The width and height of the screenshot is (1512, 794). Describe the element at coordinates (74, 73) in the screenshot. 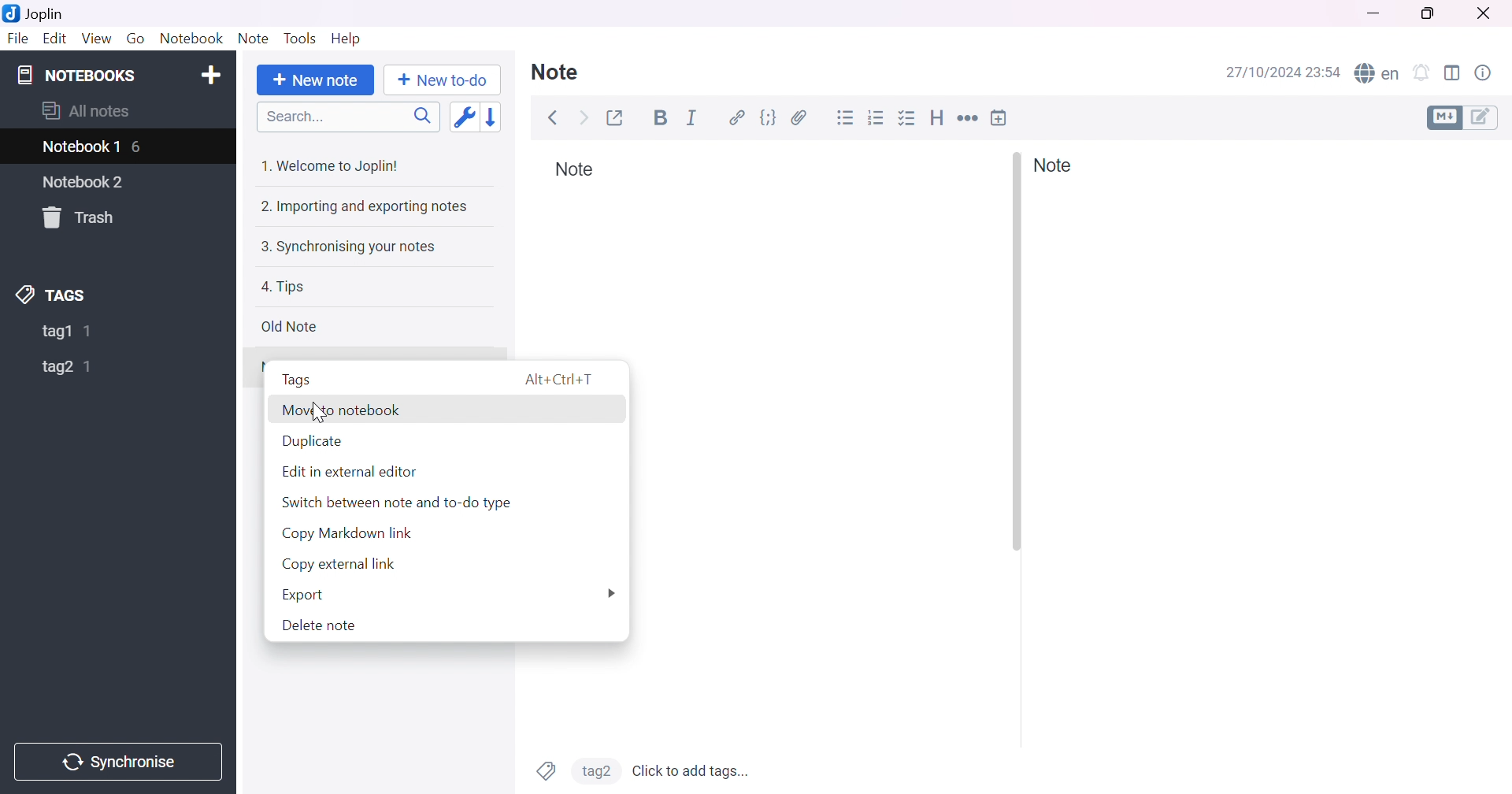

I see `NOTEBOOKS` at that location.